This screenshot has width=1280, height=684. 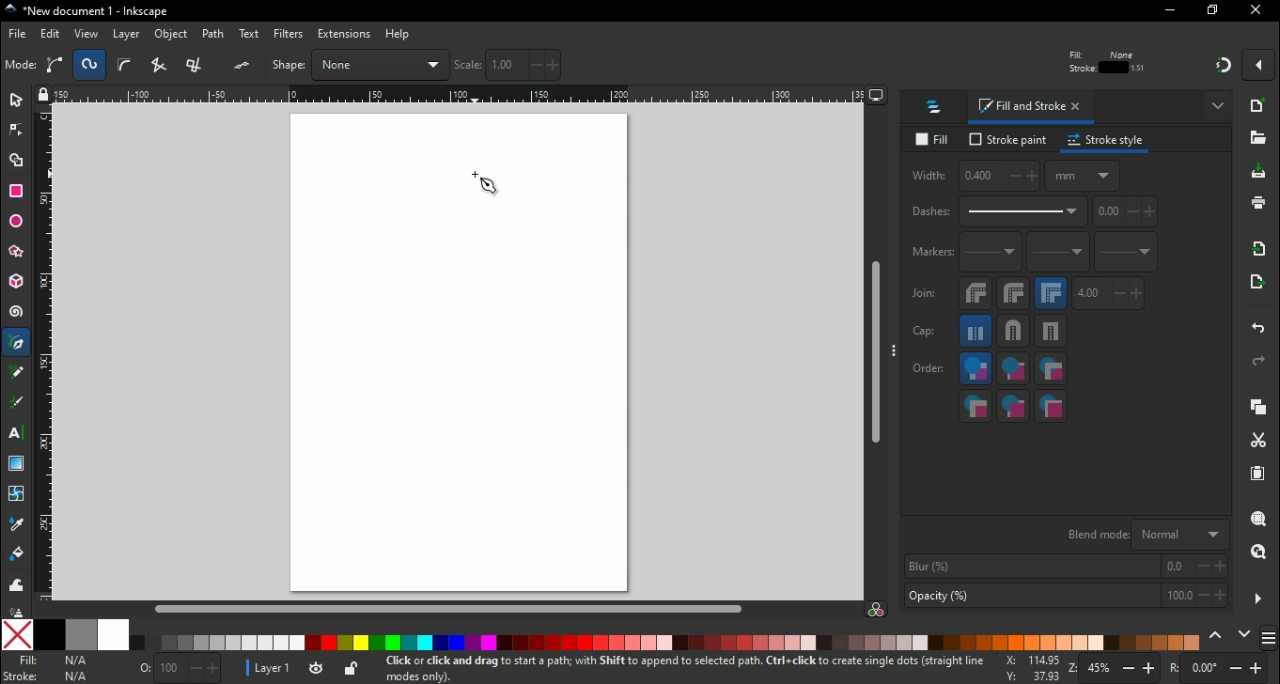 I want to click on import, so click(x=1262, y=253).